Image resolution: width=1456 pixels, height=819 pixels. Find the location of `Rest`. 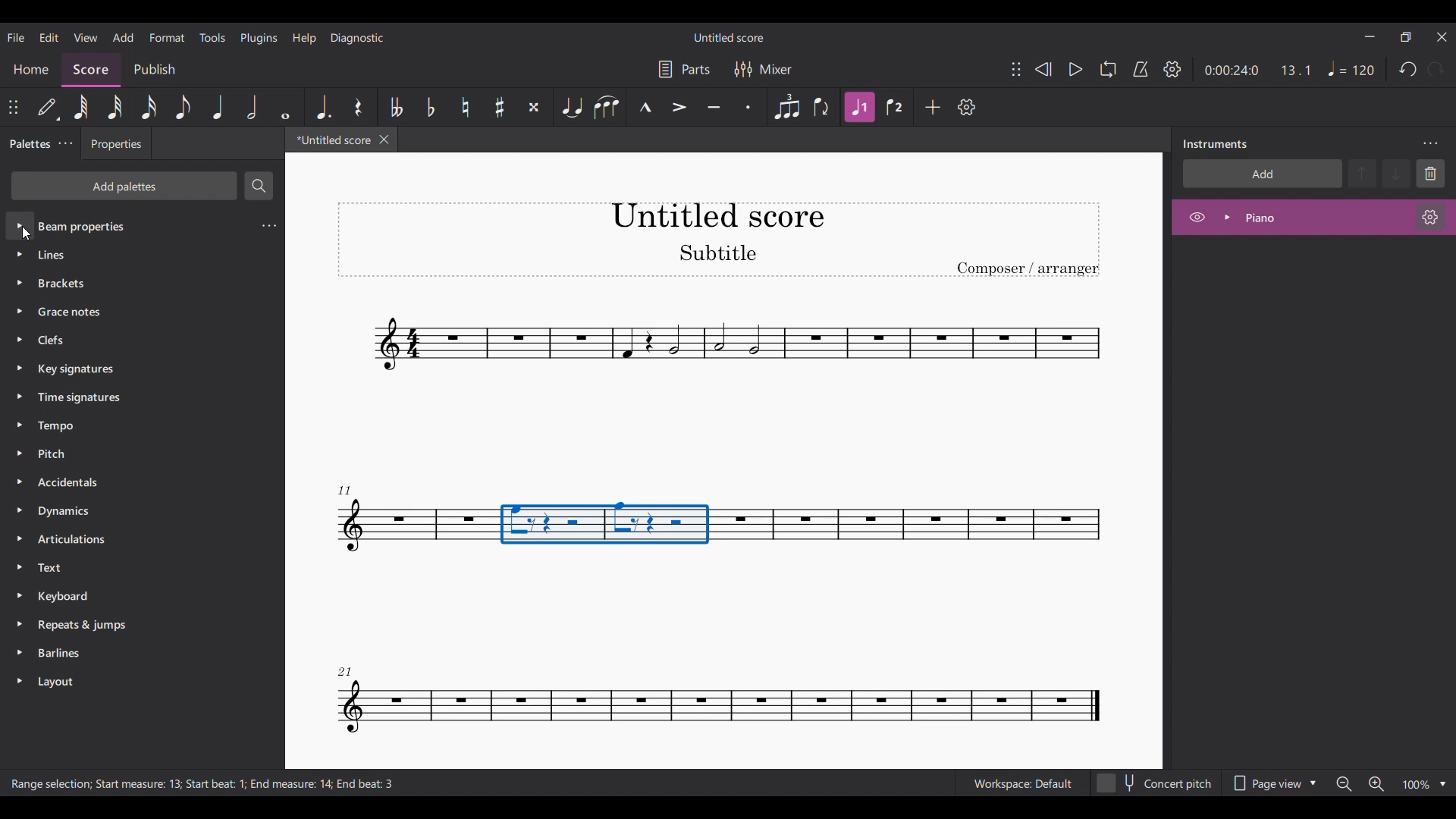

Rest is located at coordinates (358, 107).